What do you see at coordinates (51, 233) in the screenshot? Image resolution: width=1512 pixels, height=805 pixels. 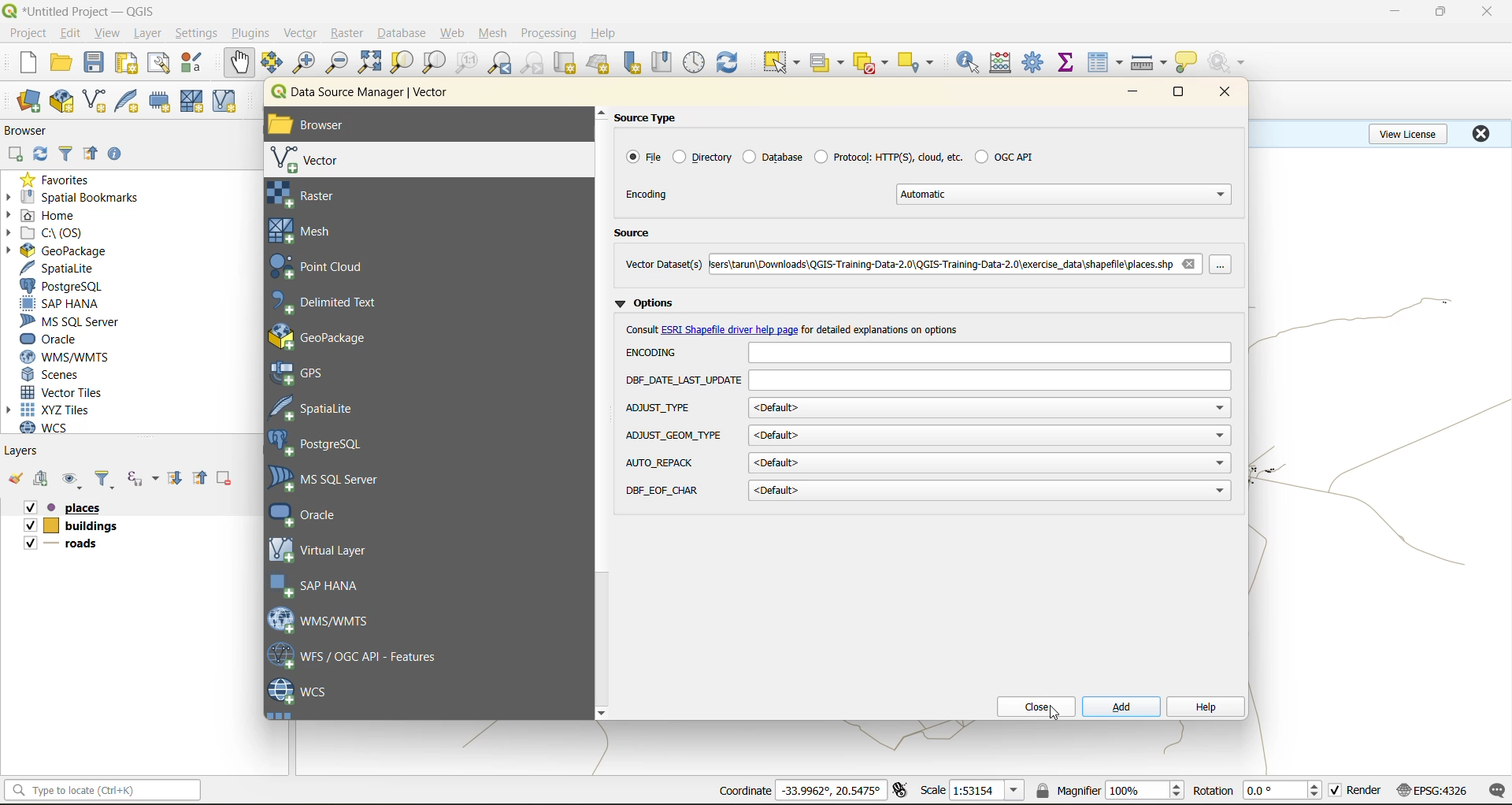 I see `c\:os` at bounding box center [51, 233].